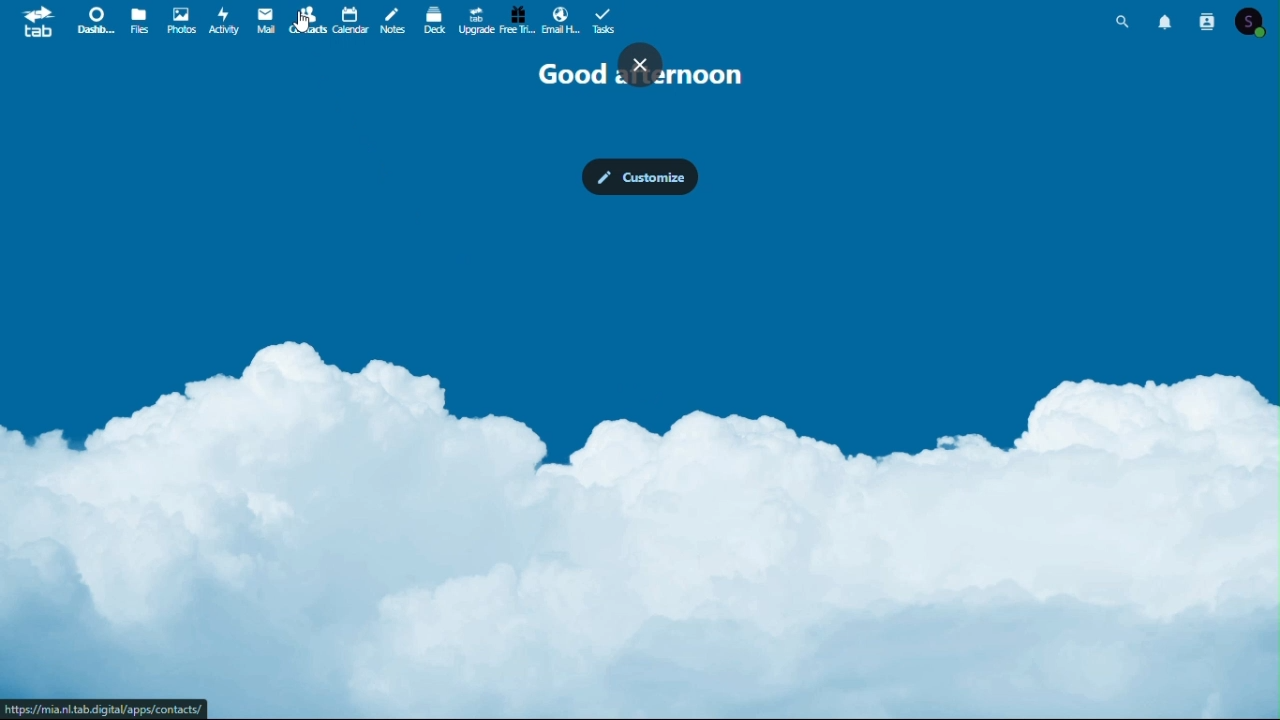  What do you see at coordinates (640, 178) in the screenshot?
I see `Customise` at bounding box center [640, 178].